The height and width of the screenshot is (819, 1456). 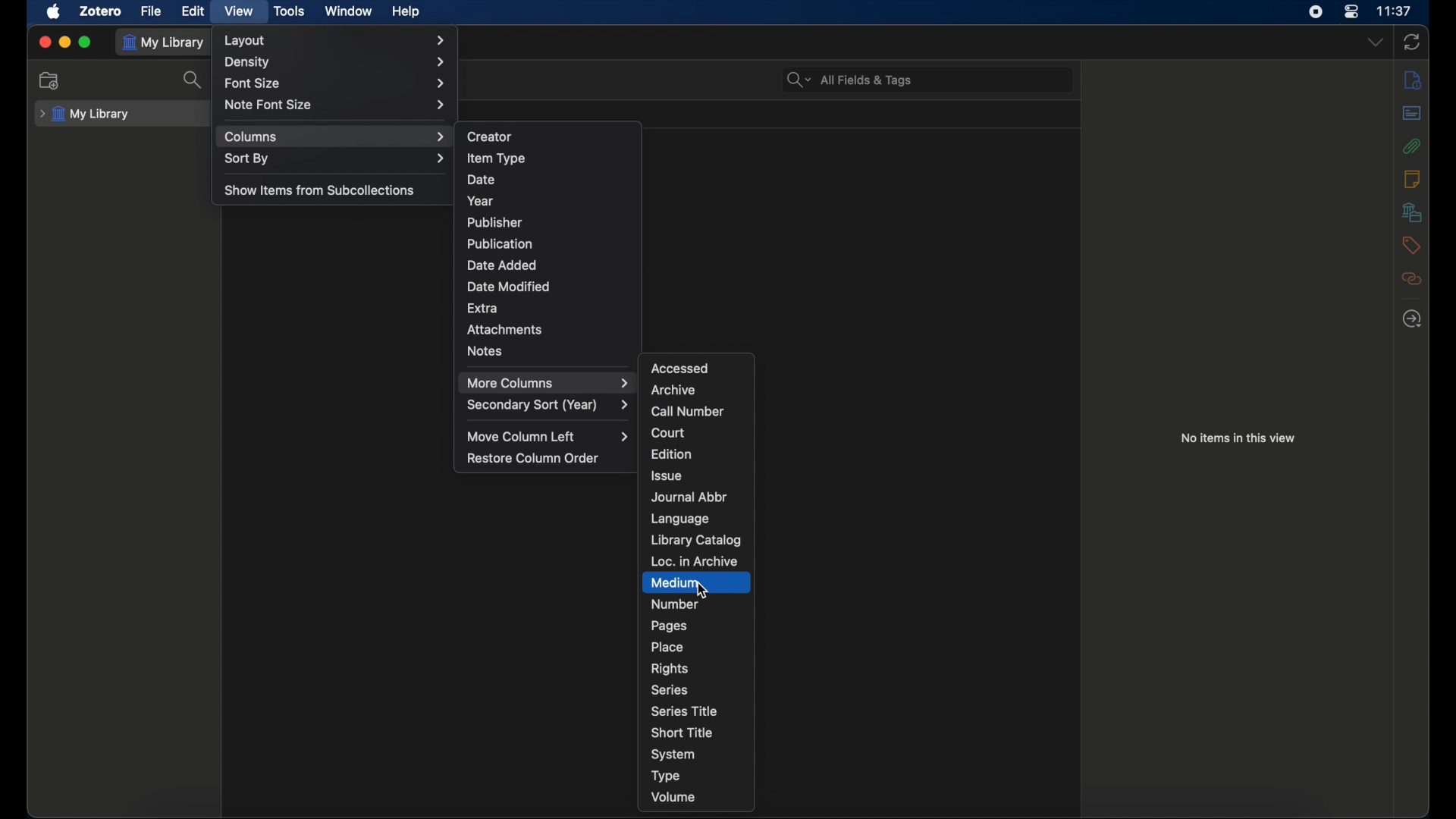 What do you see at coordinates (334, 82) in the screenshot?
I see `font size` at bounding box center [334, 82].